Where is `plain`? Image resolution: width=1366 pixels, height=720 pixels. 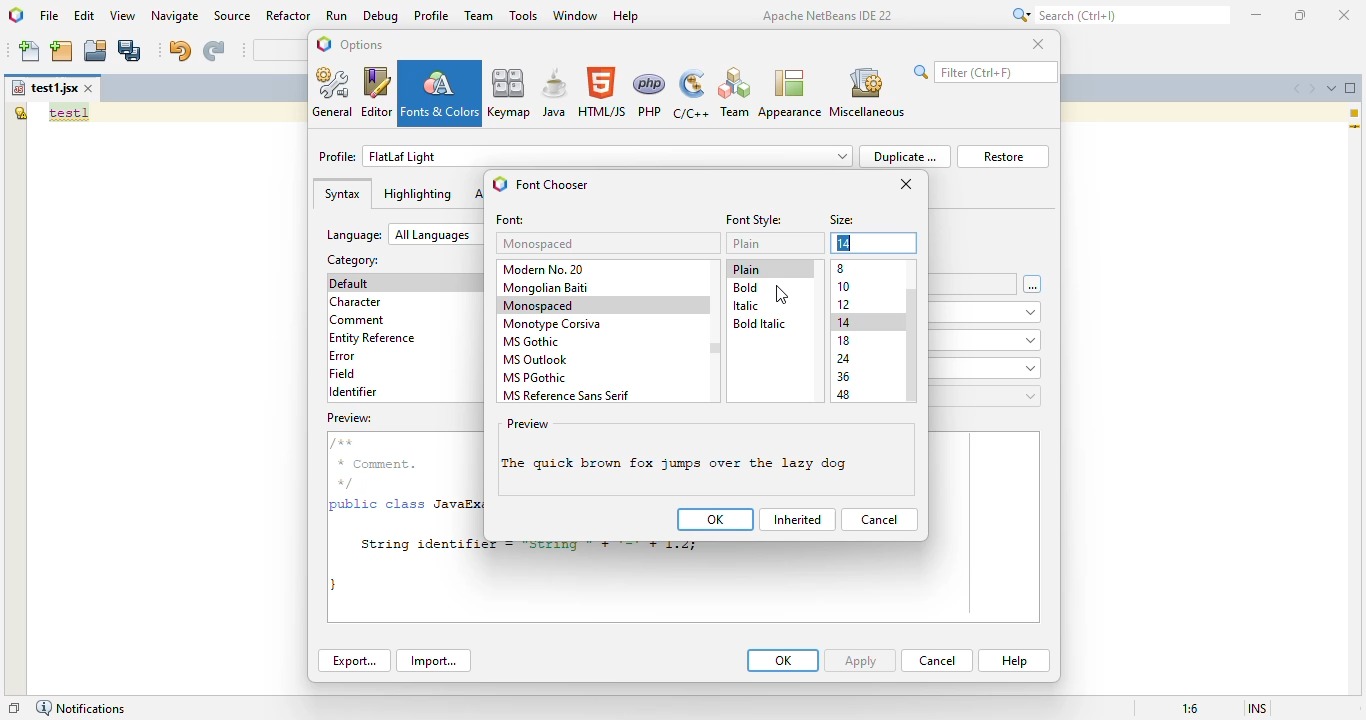 plain is located at coordinates (746, 243).